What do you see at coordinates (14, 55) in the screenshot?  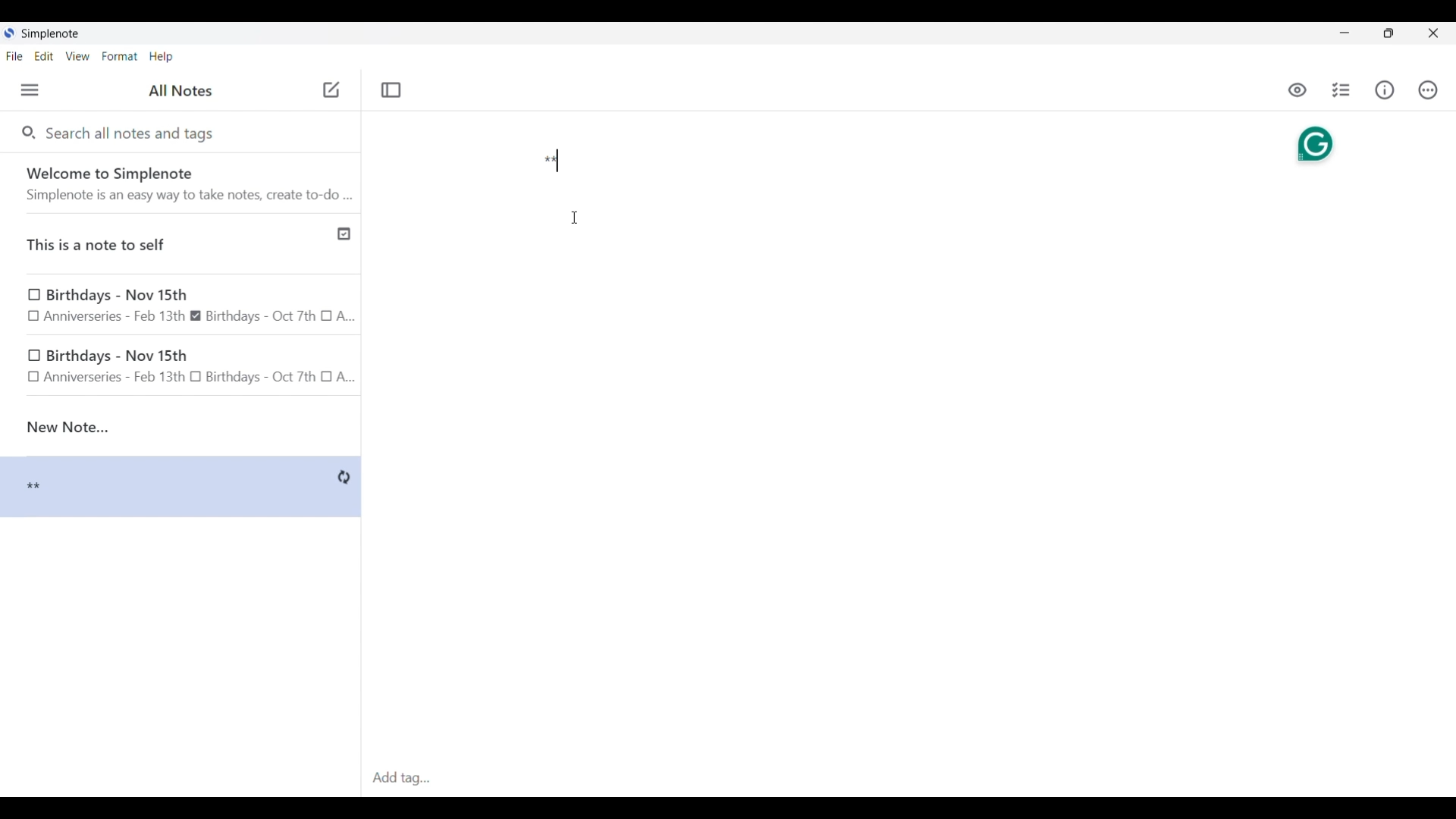 I see `File menu` at bounding box center [14, 55].